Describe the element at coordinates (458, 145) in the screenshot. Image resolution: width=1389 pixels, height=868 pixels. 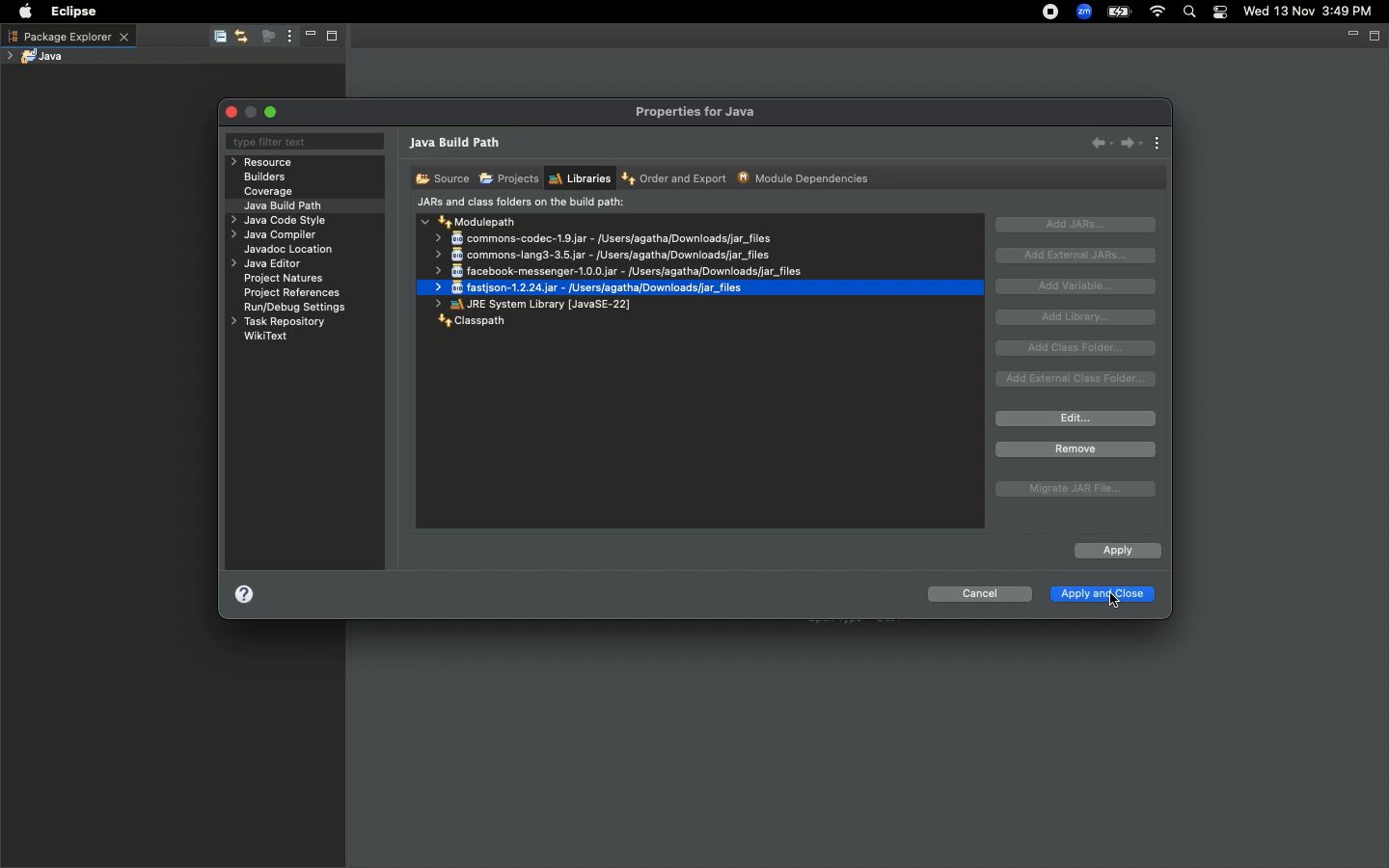
I see `Java build path` at that location.